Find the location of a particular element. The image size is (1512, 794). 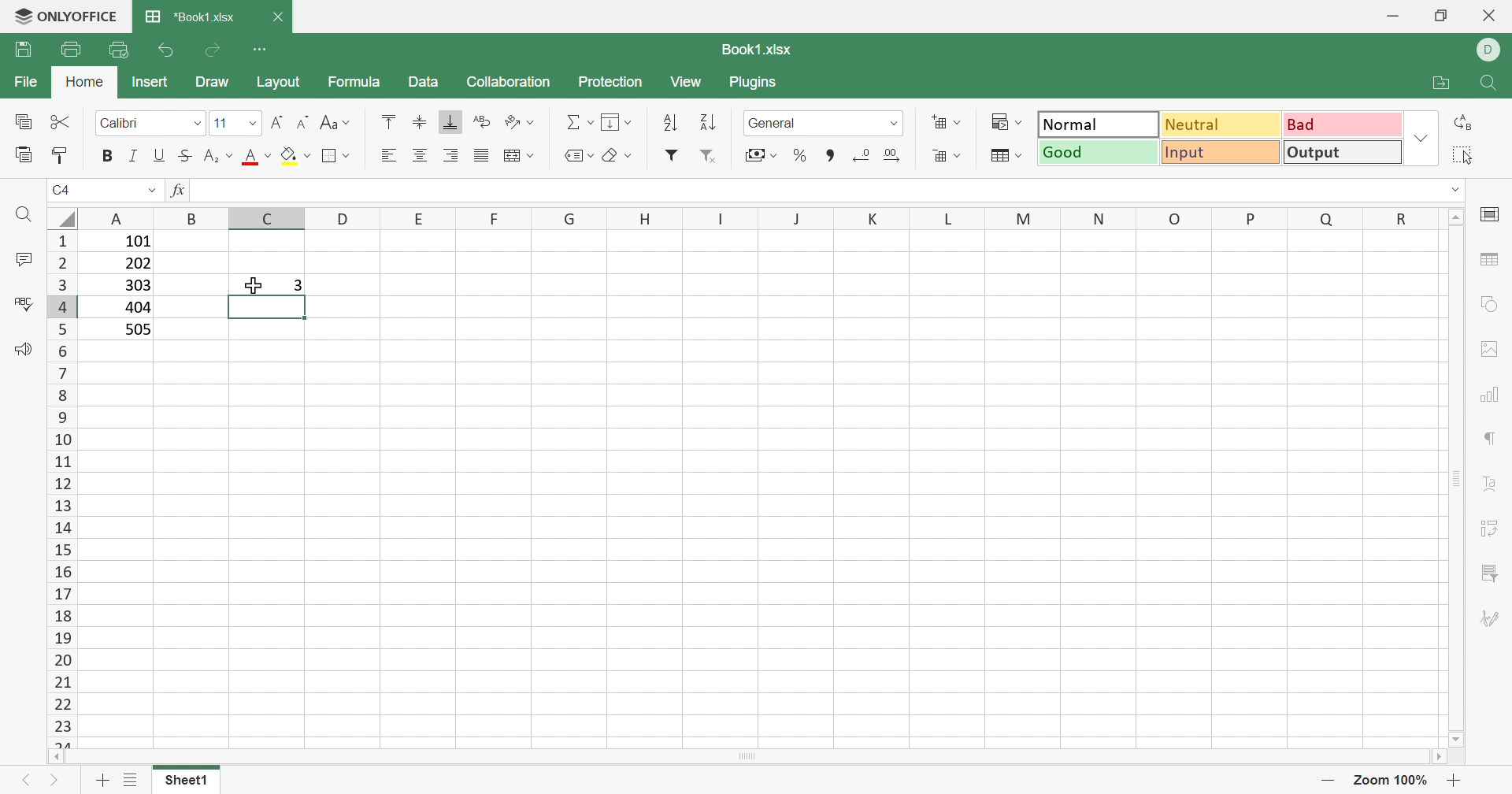

chart settings is located at coordinates (1495, 396).